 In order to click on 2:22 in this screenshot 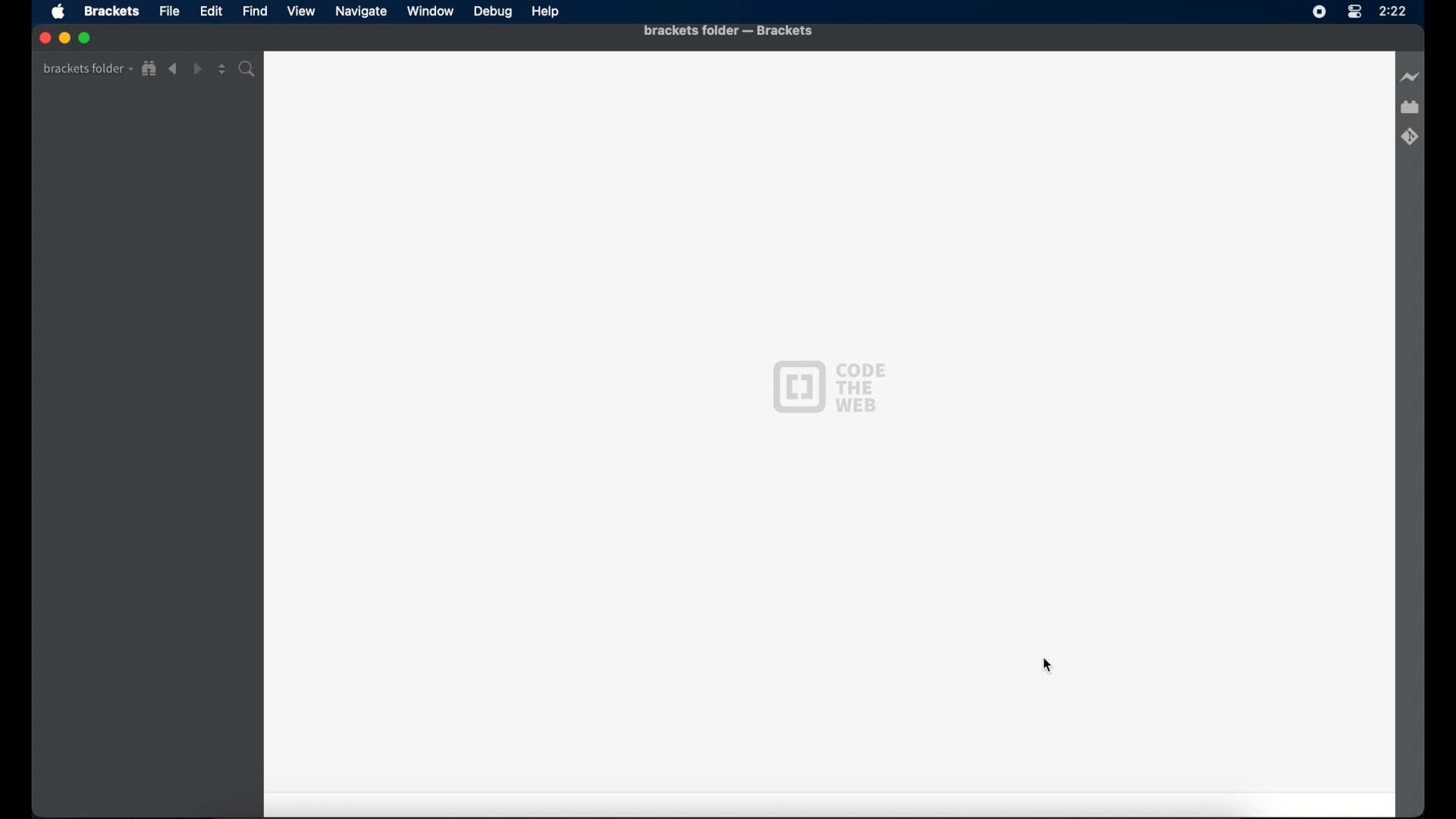, I will do `click(1392, 12)`.